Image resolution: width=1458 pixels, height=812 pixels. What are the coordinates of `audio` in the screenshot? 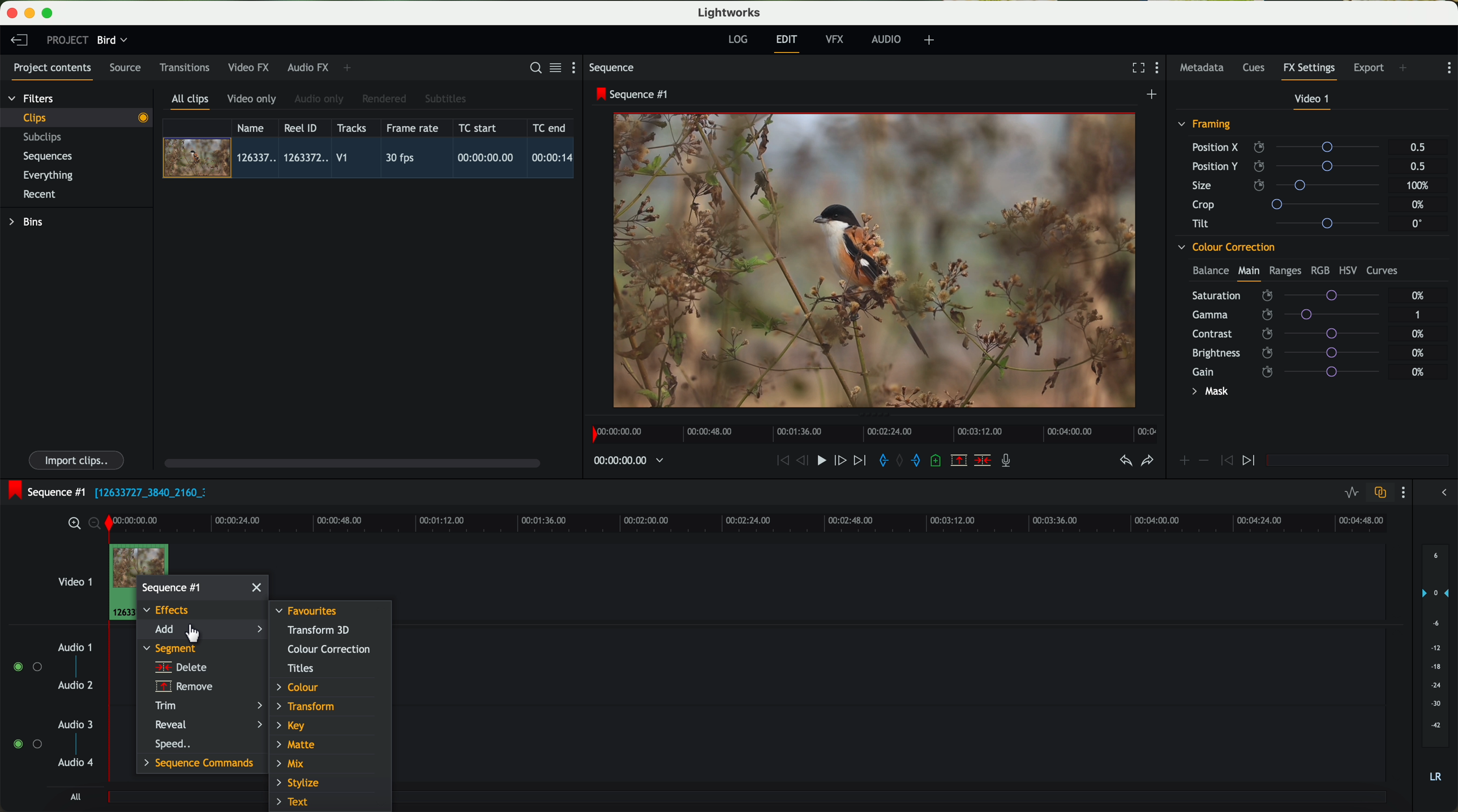 It's located at (886, 39).